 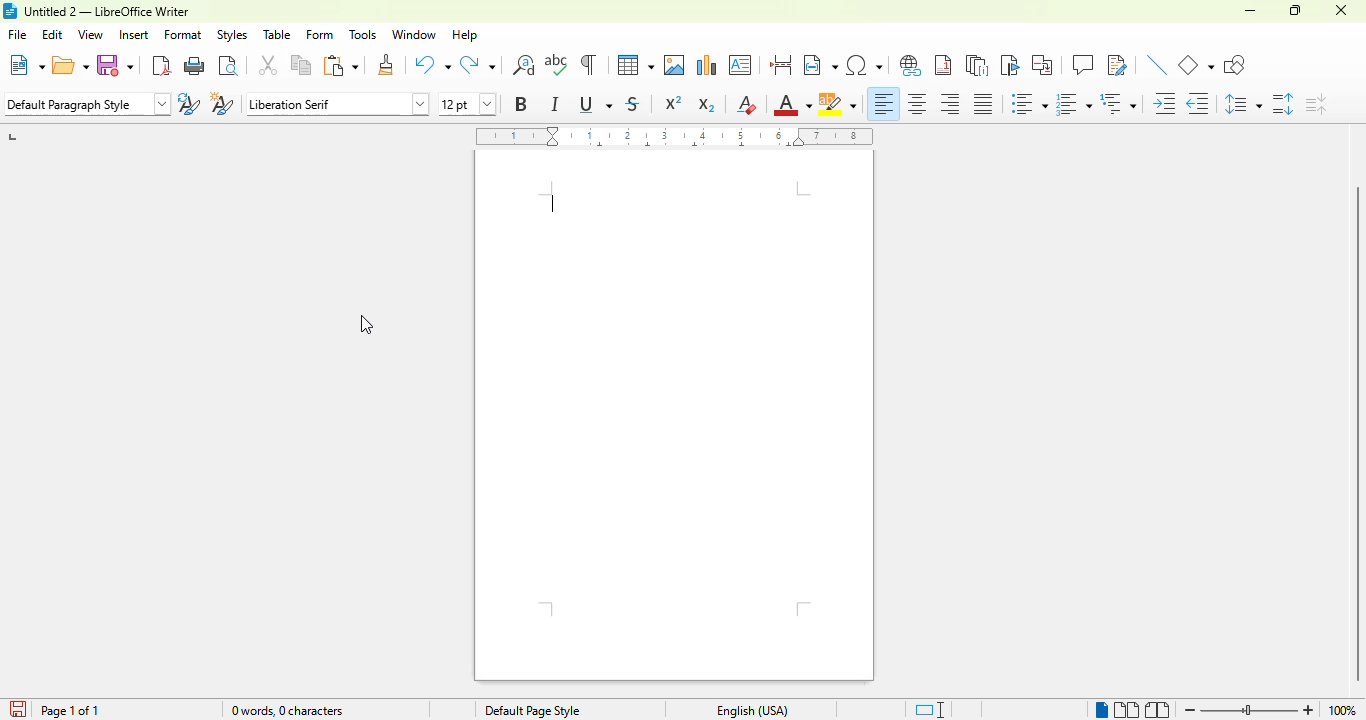 What do you see at coordinates (1029, 103) in the screenshot?
I see `toggle unordered list` at bounding box center [1029, 103].